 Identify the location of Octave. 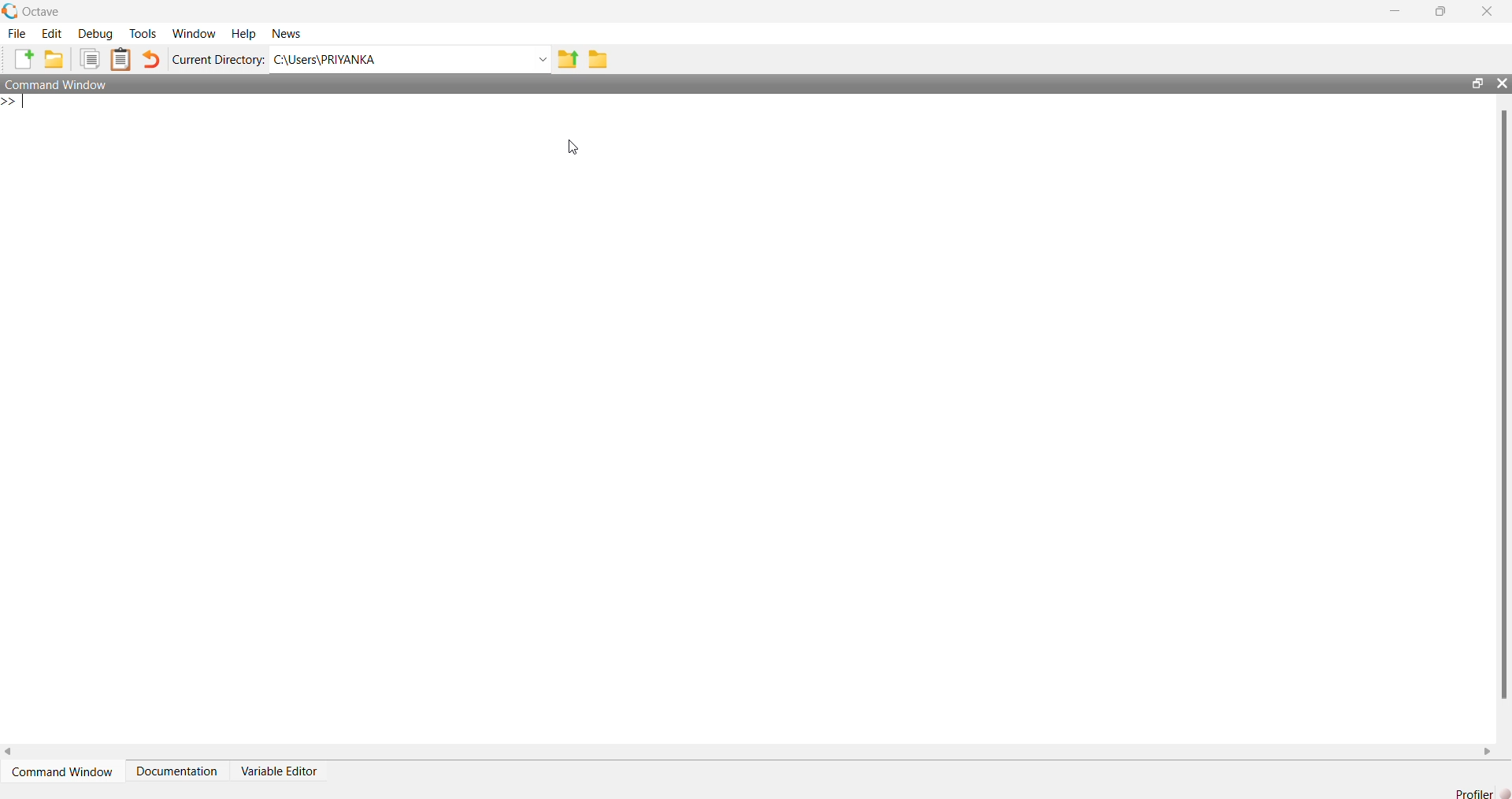
(9, 11).